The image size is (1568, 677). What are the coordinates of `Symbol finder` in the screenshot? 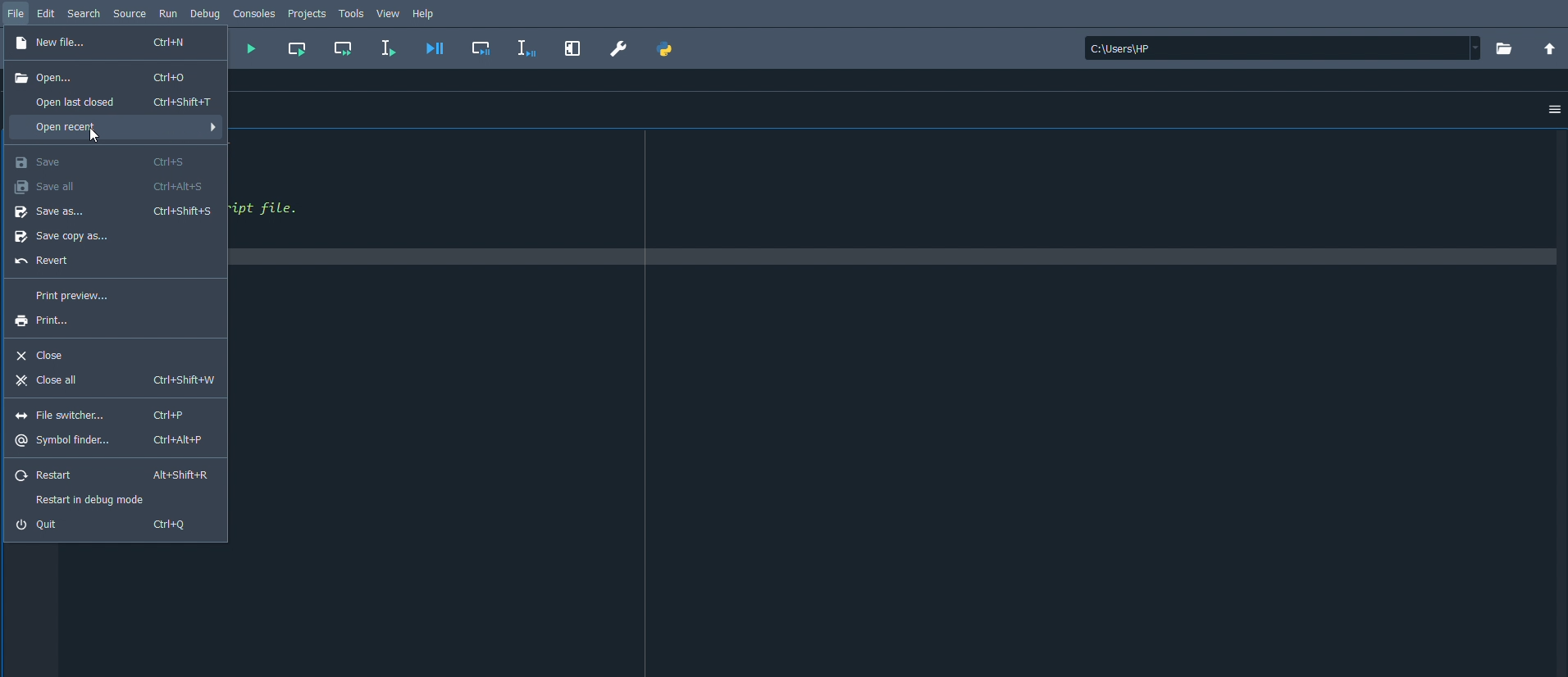 It's located at (112, 441).